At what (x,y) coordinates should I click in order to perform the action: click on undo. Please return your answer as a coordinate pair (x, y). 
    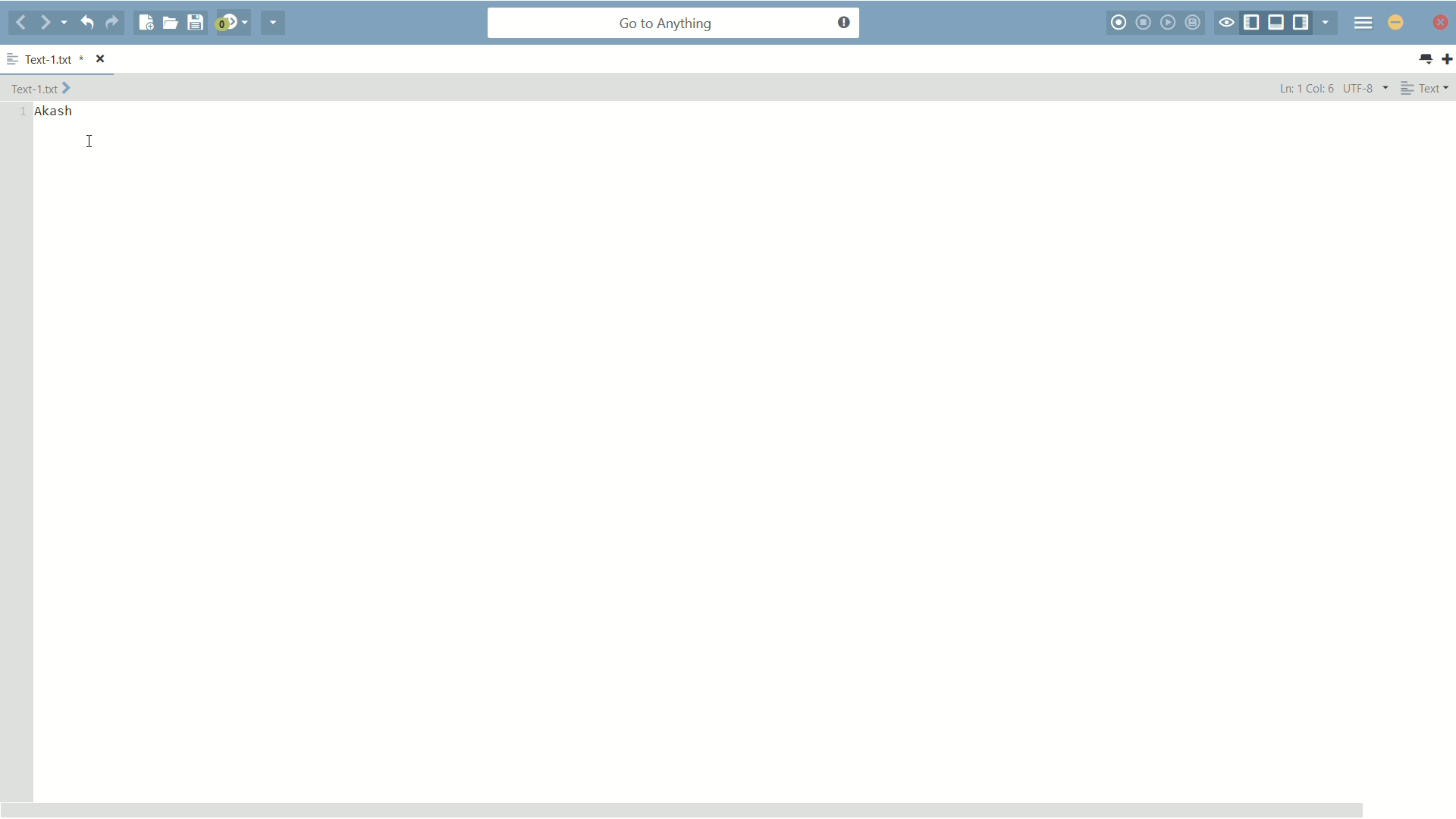
    Looking at the image, I should click on (87, 24).